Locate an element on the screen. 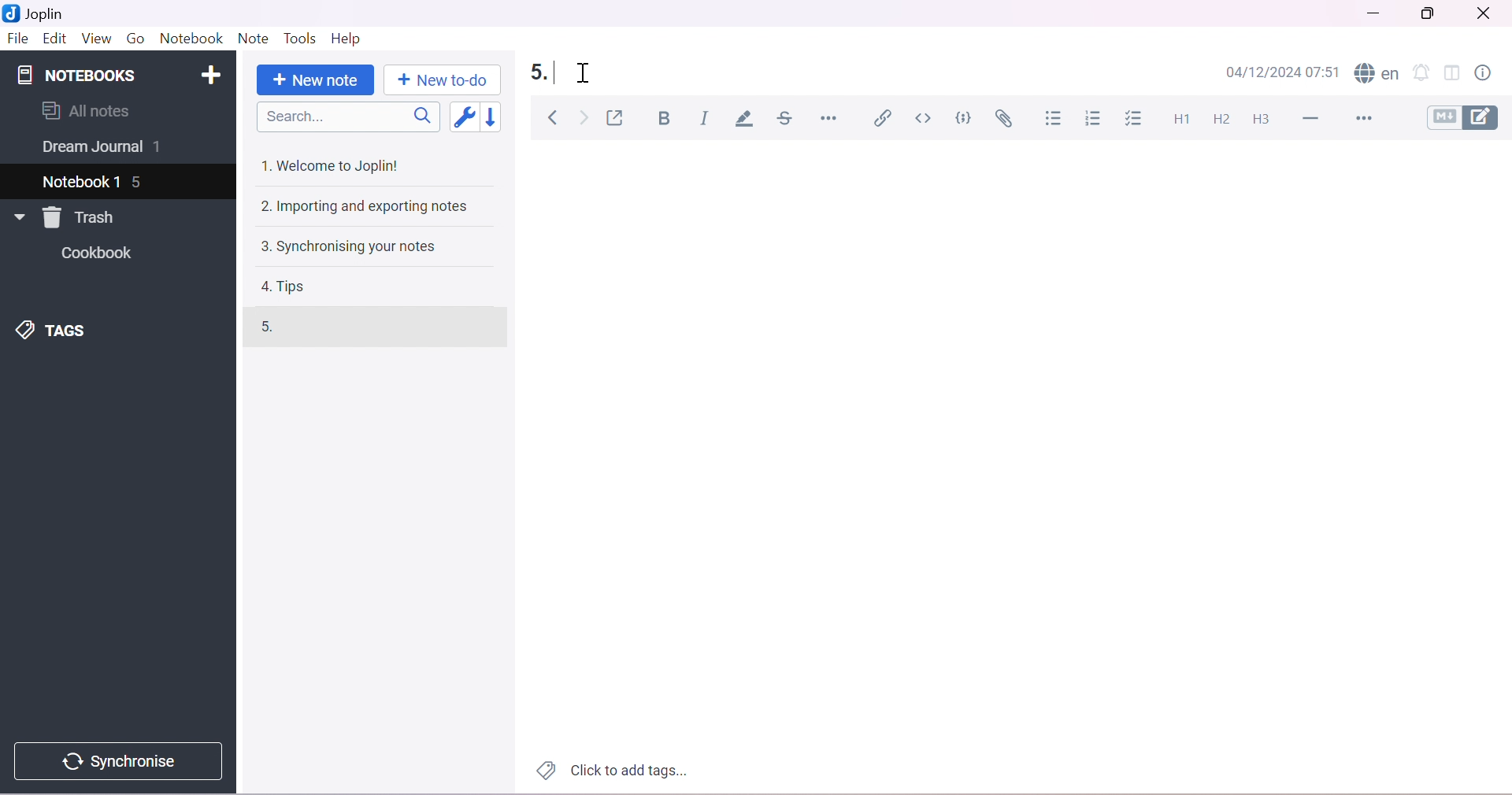 This screenshot has width=1512, height=795. 2. Importing and exporting notes is located at coordinates (367, 208).